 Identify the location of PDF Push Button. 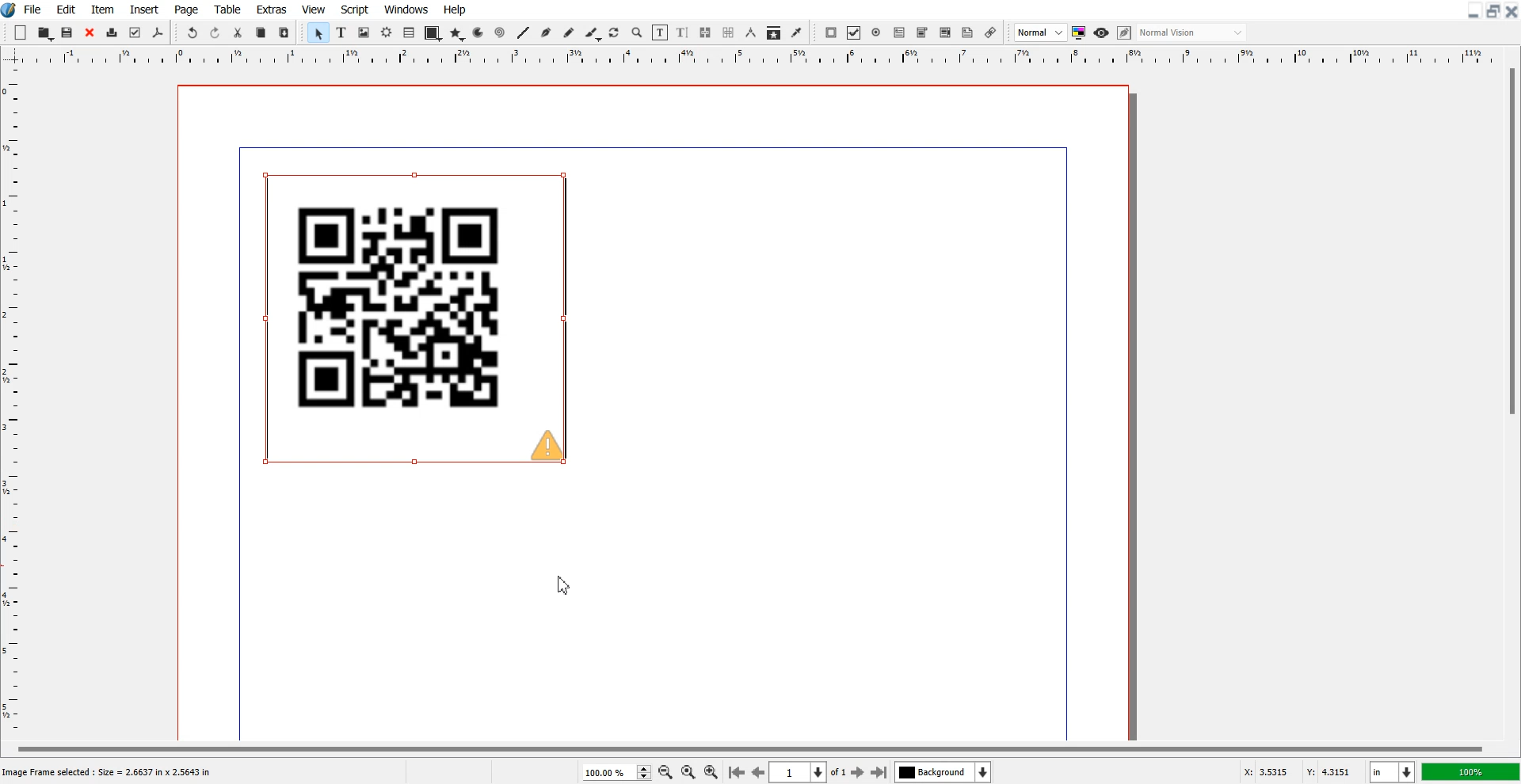
(832, 32).